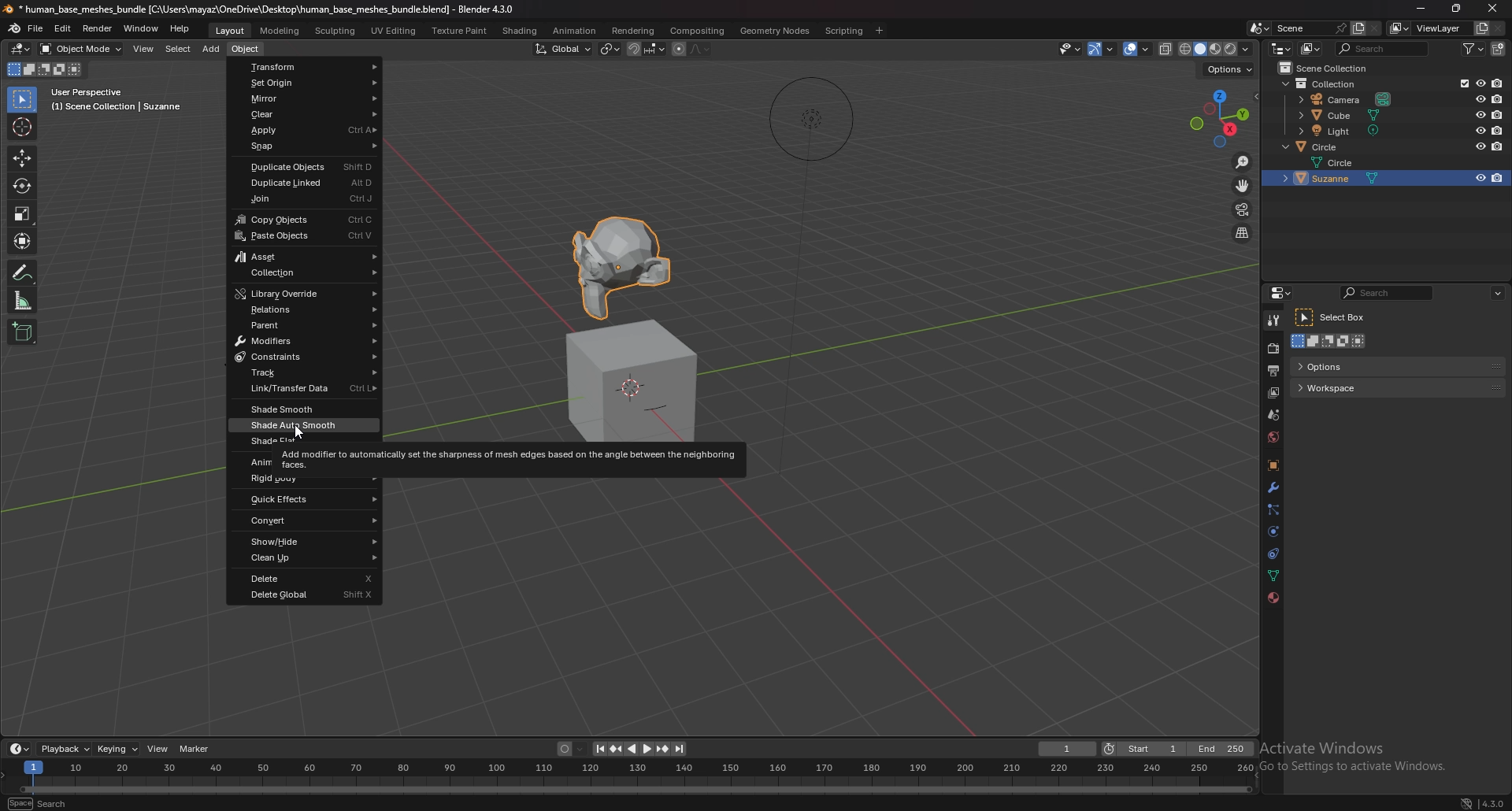  What do you see at coordinates (1321, 146) in the screenshot?
I see `circle` at bounding box center [1321, 146].